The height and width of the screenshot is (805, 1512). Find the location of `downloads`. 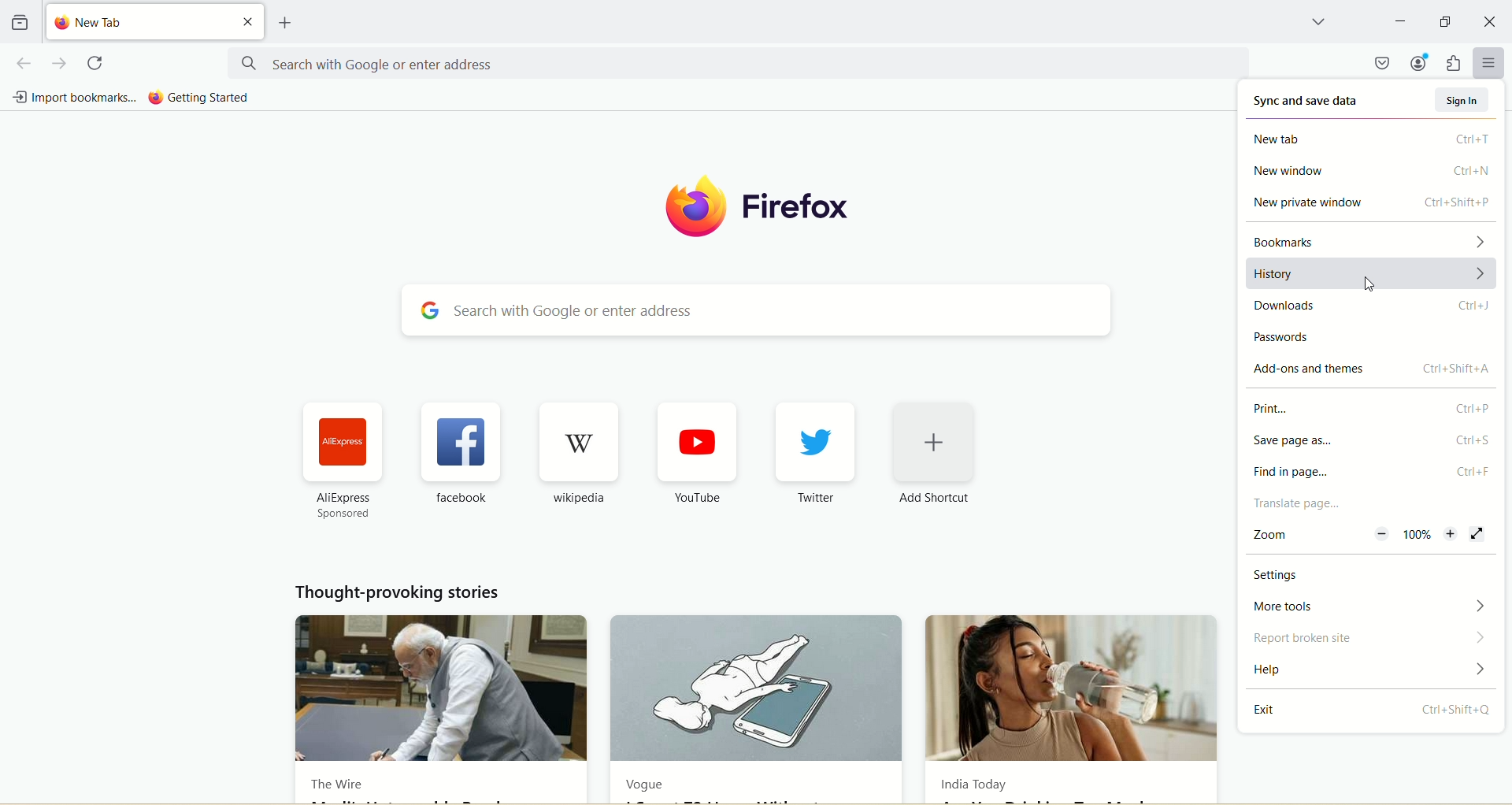

downloads is located at coordinates (1373, 306).